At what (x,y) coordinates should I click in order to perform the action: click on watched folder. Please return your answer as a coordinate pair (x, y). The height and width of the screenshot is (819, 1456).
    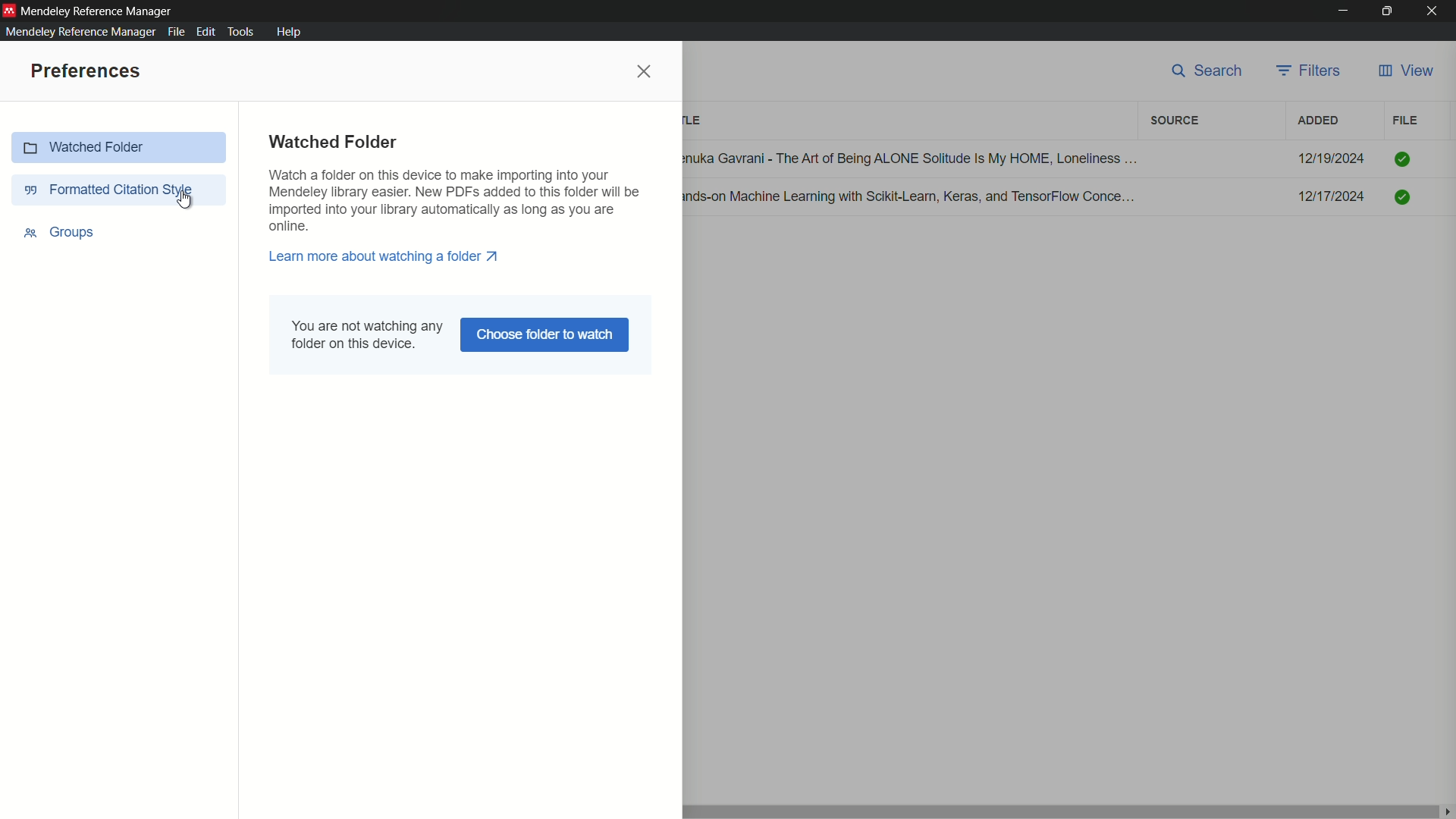
    Looking at the image, I should click on (120, 145).